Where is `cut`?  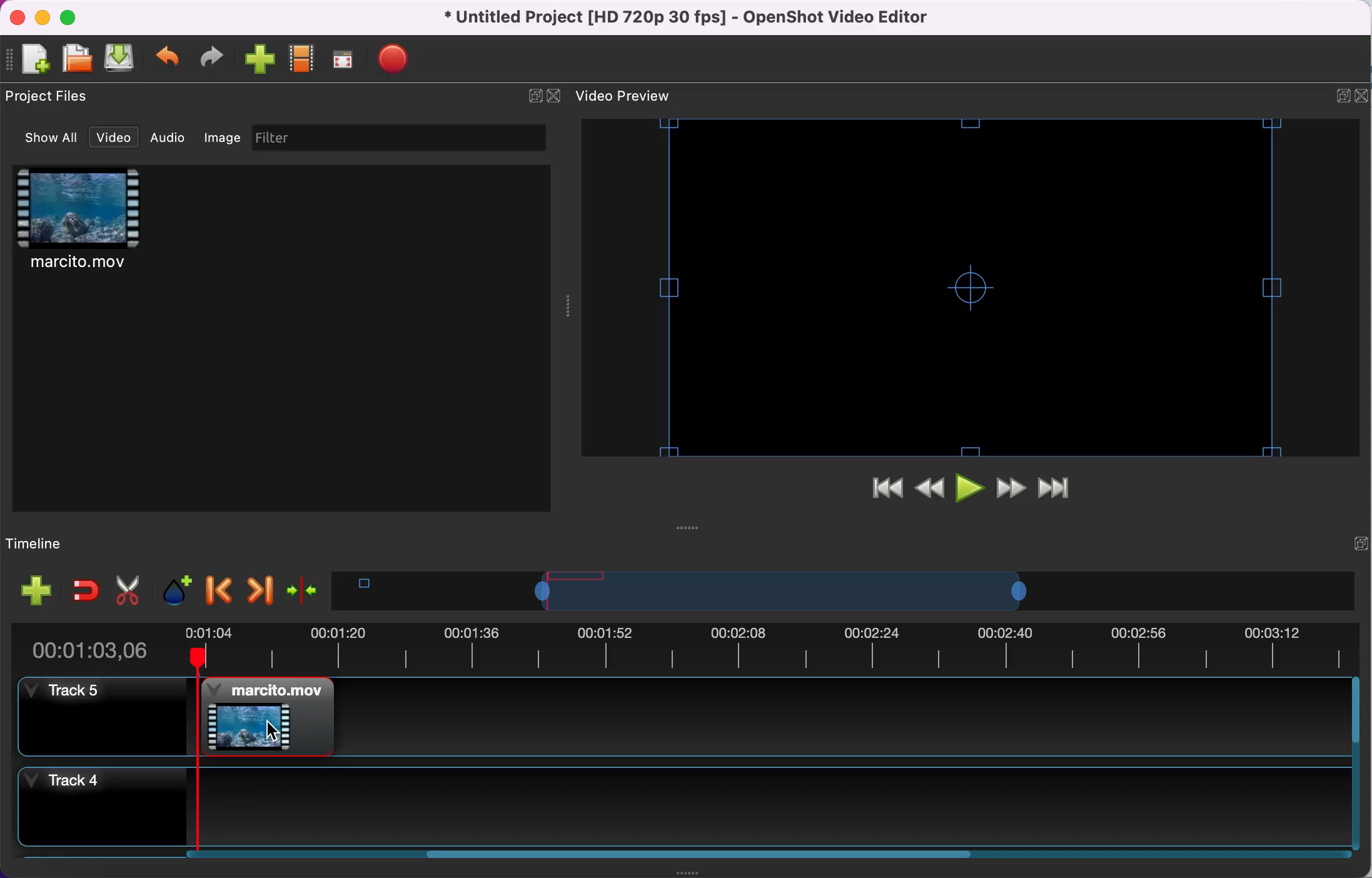 cut is located at coordinates (127, 590).